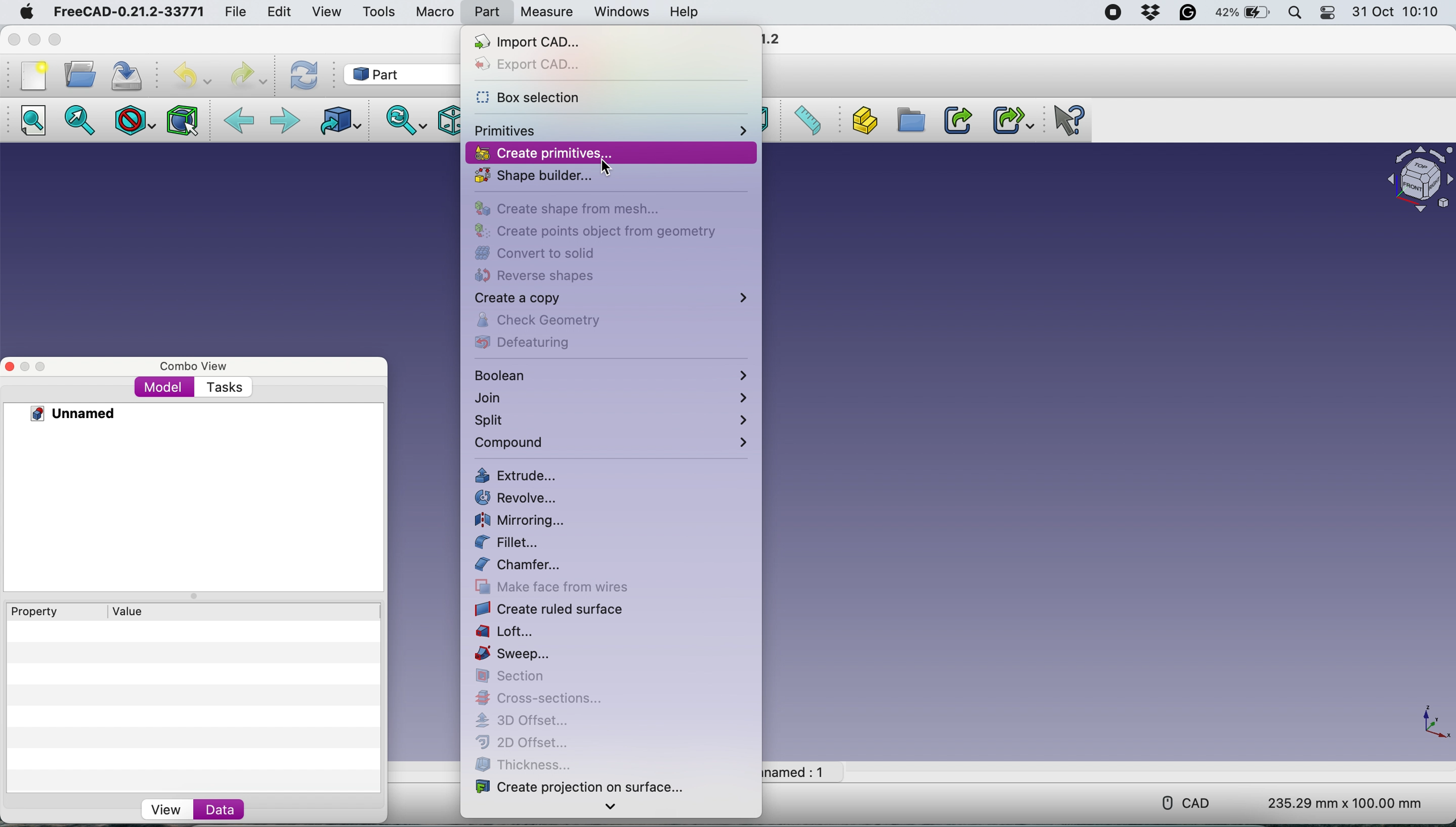 Image resolution: width=1456 pixels, height=827 pixels. I want to click on cross sections, so click(536, 697).